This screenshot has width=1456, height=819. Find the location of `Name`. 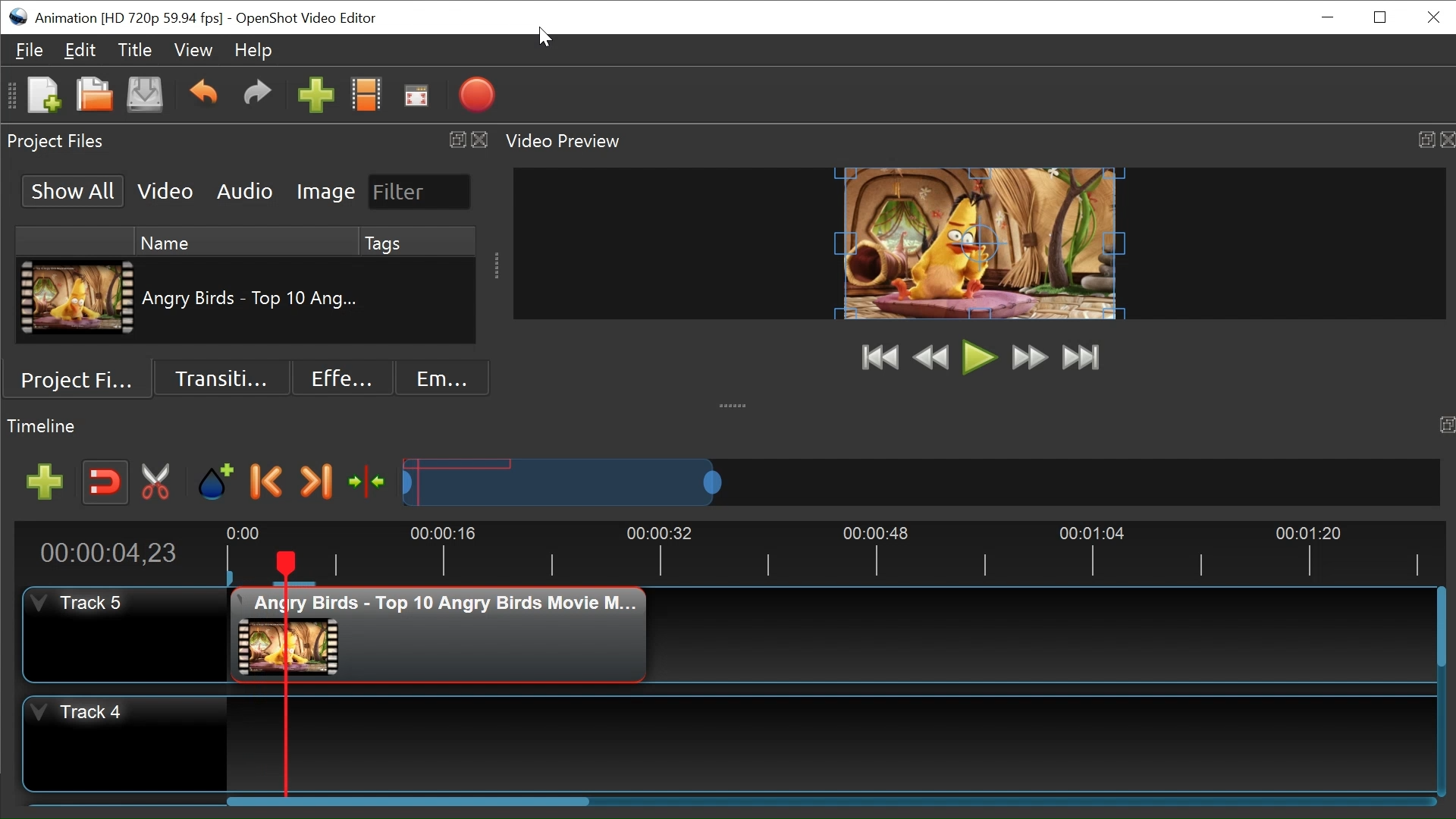

Name is located at coordinates (244, 240).